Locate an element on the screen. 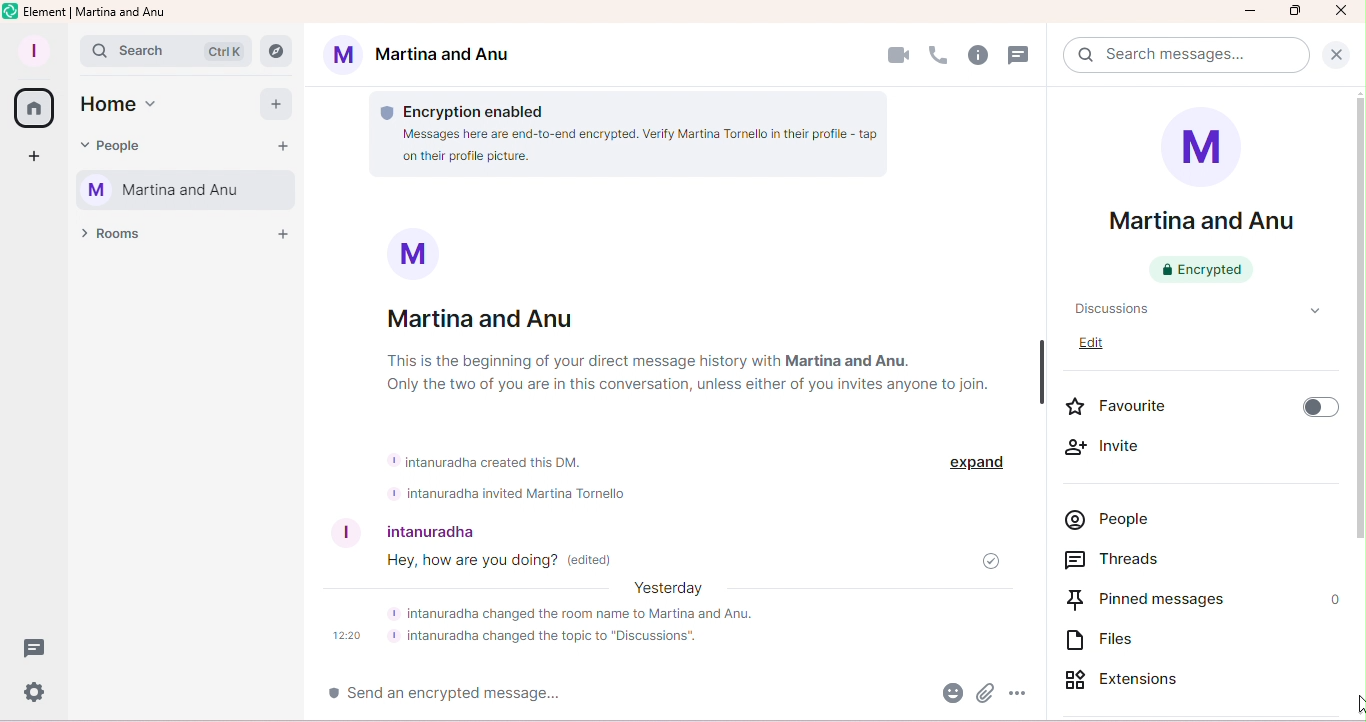 The height and width of the screenshot is (722, 1366). People is located at coordinates (1112, 519).